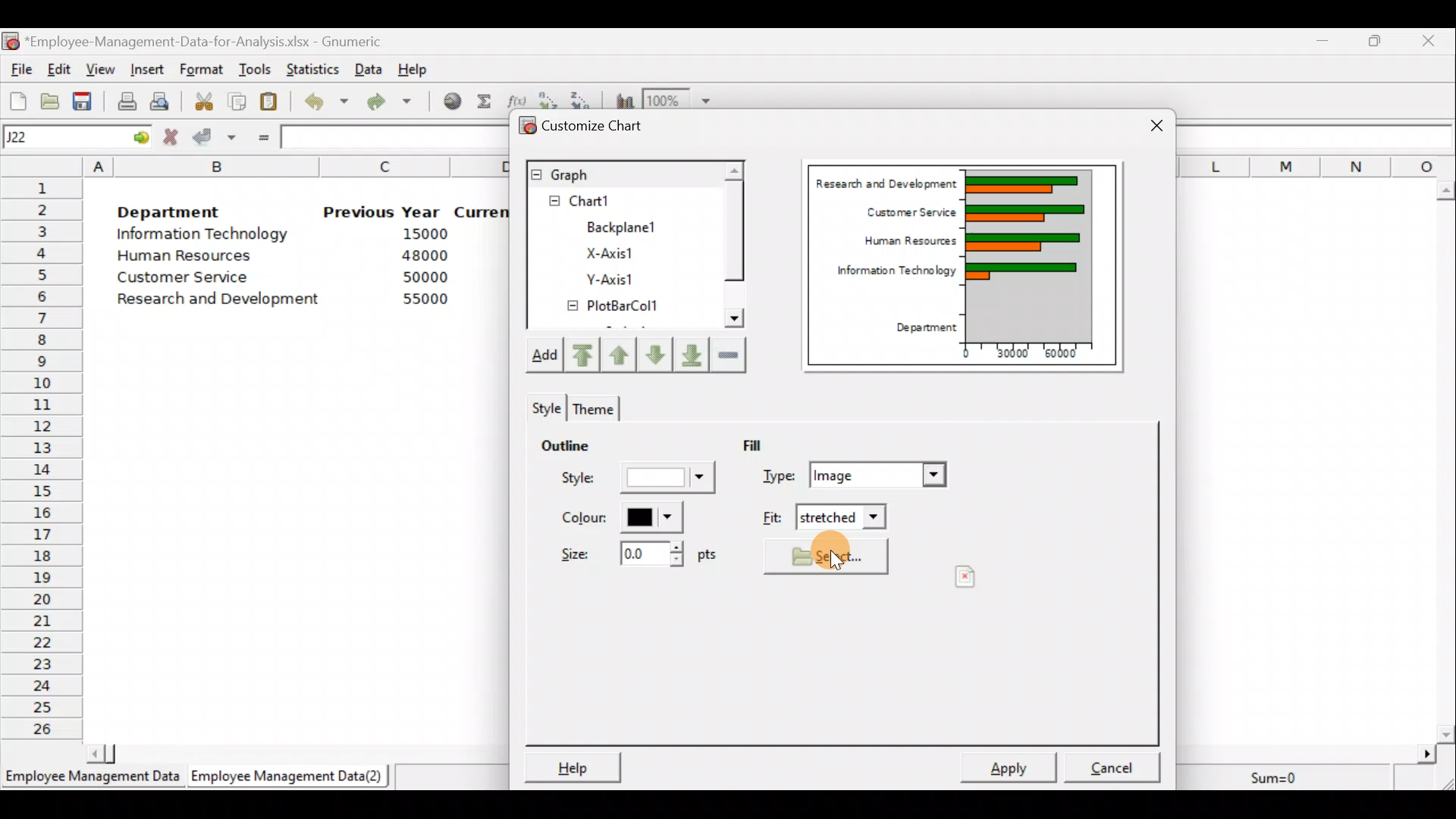  I want to click on Research and Development, so click(883, 180).